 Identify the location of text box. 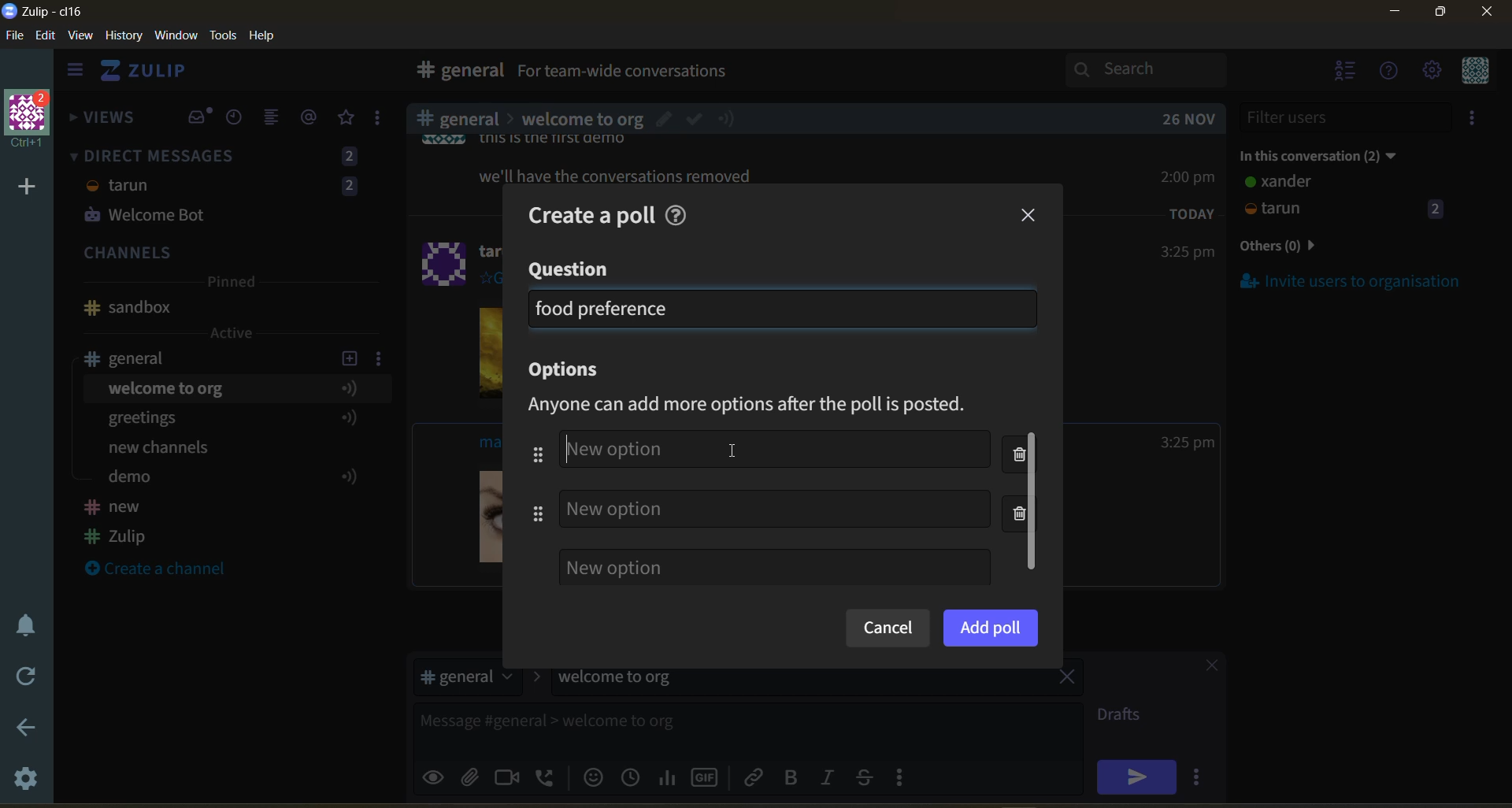
(707, 727).